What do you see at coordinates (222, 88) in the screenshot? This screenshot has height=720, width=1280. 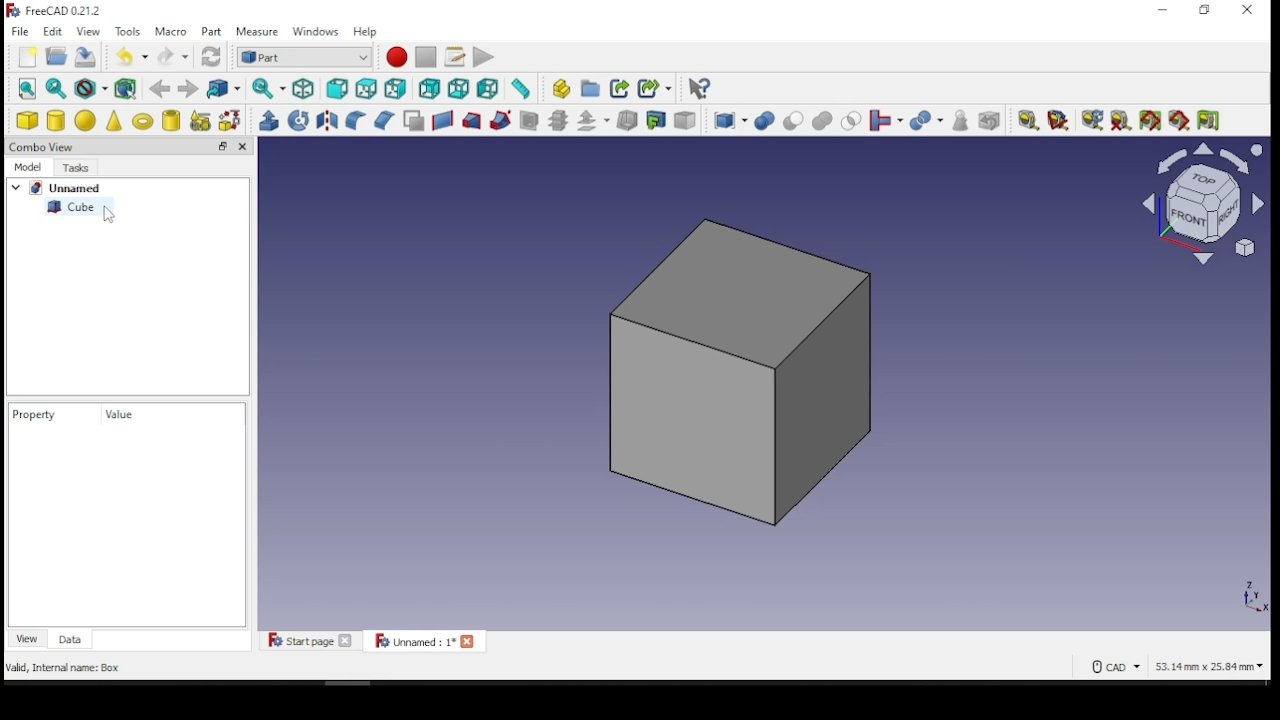 I see `go to linked object` at bounding box center [222, 88].